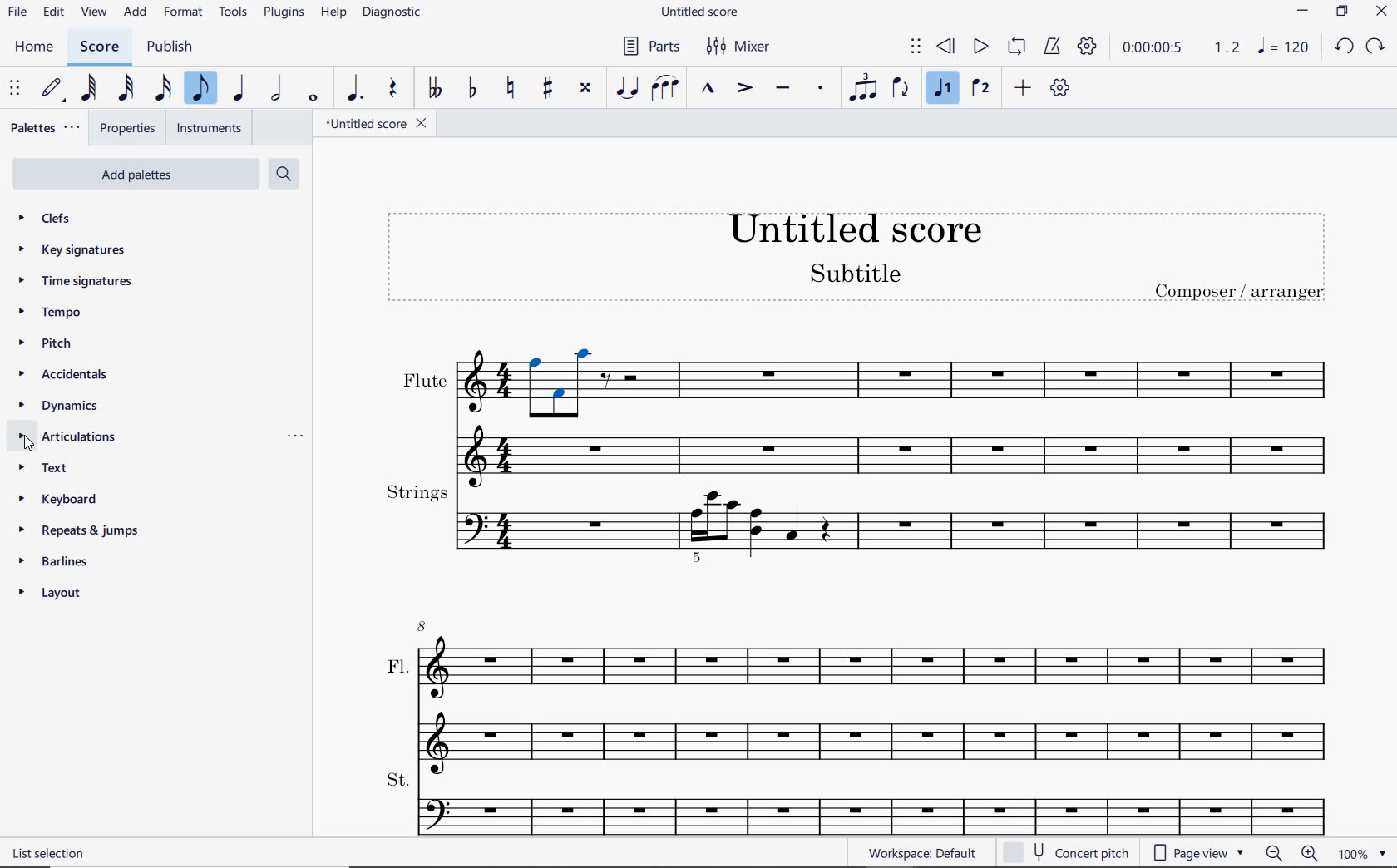 Image resolution: width=1397 pixels, height=868 pixels. Describe the element at coordinates (876, 692) in the screenshot. I see `fl.` at that location.